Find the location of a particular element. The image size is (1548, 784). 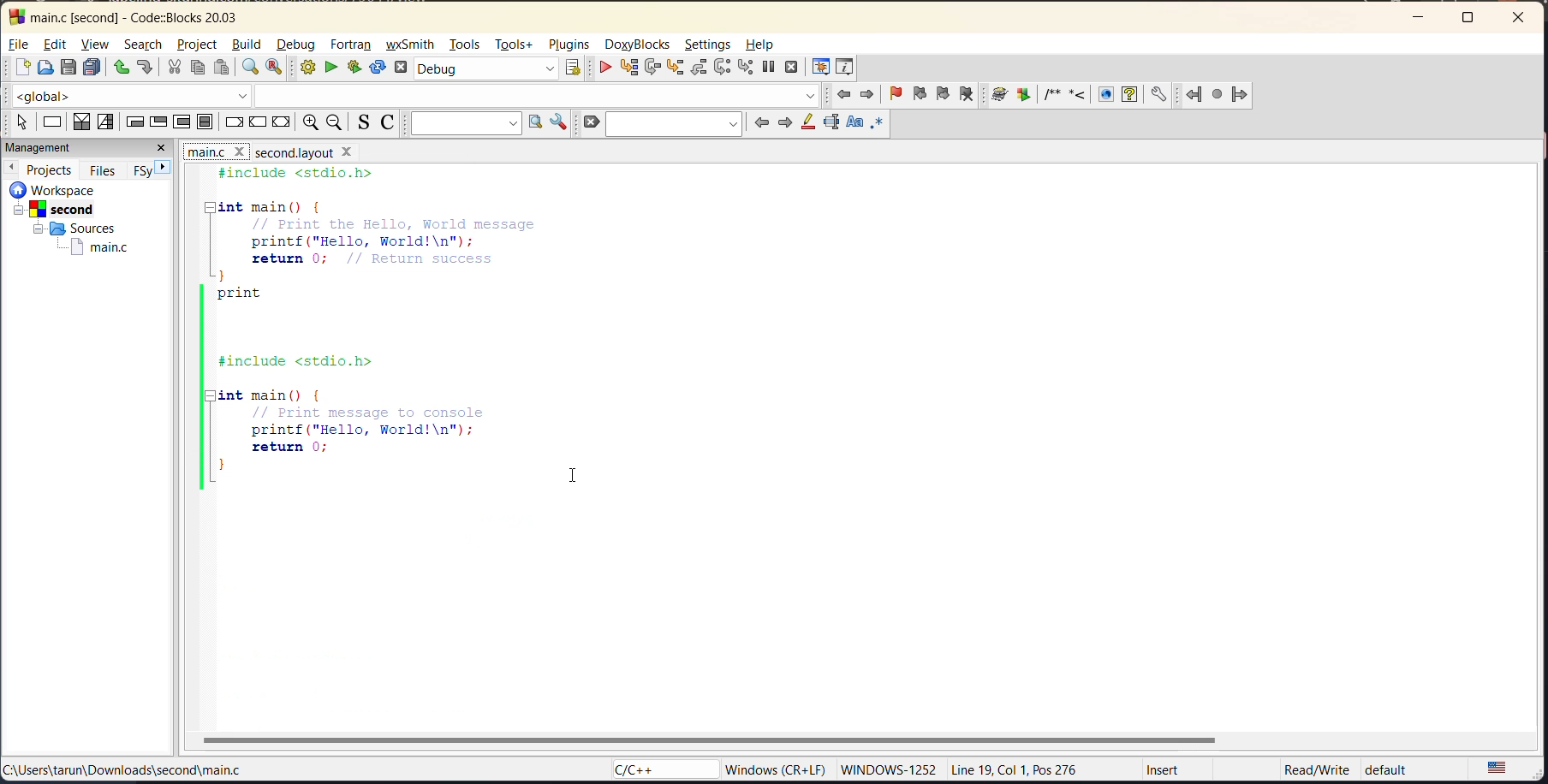

open is located at coordinates (49, 69).